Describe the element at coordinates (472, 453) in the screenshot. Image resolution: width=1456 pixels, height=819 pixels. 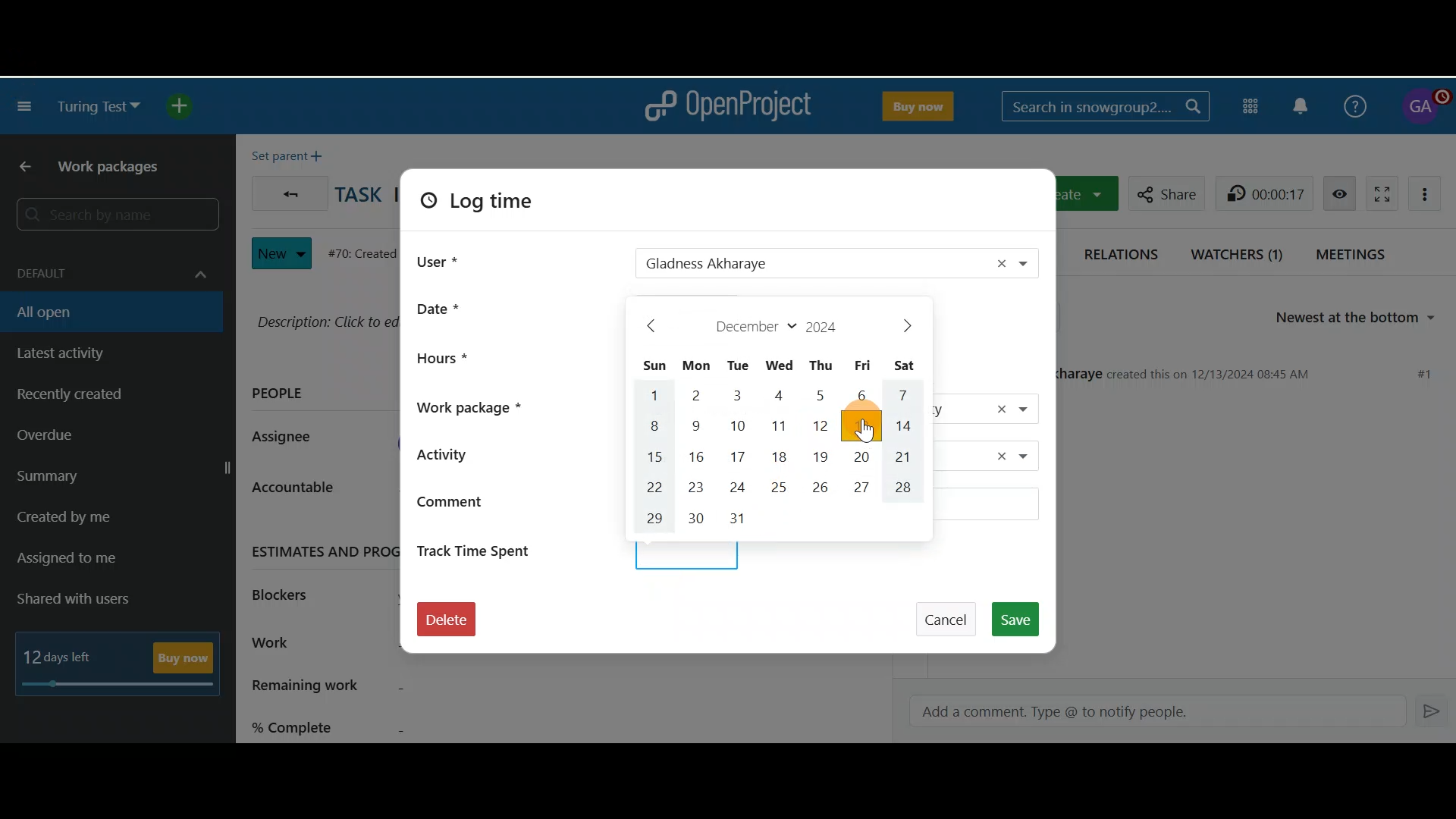
I see `Activity` at that location.